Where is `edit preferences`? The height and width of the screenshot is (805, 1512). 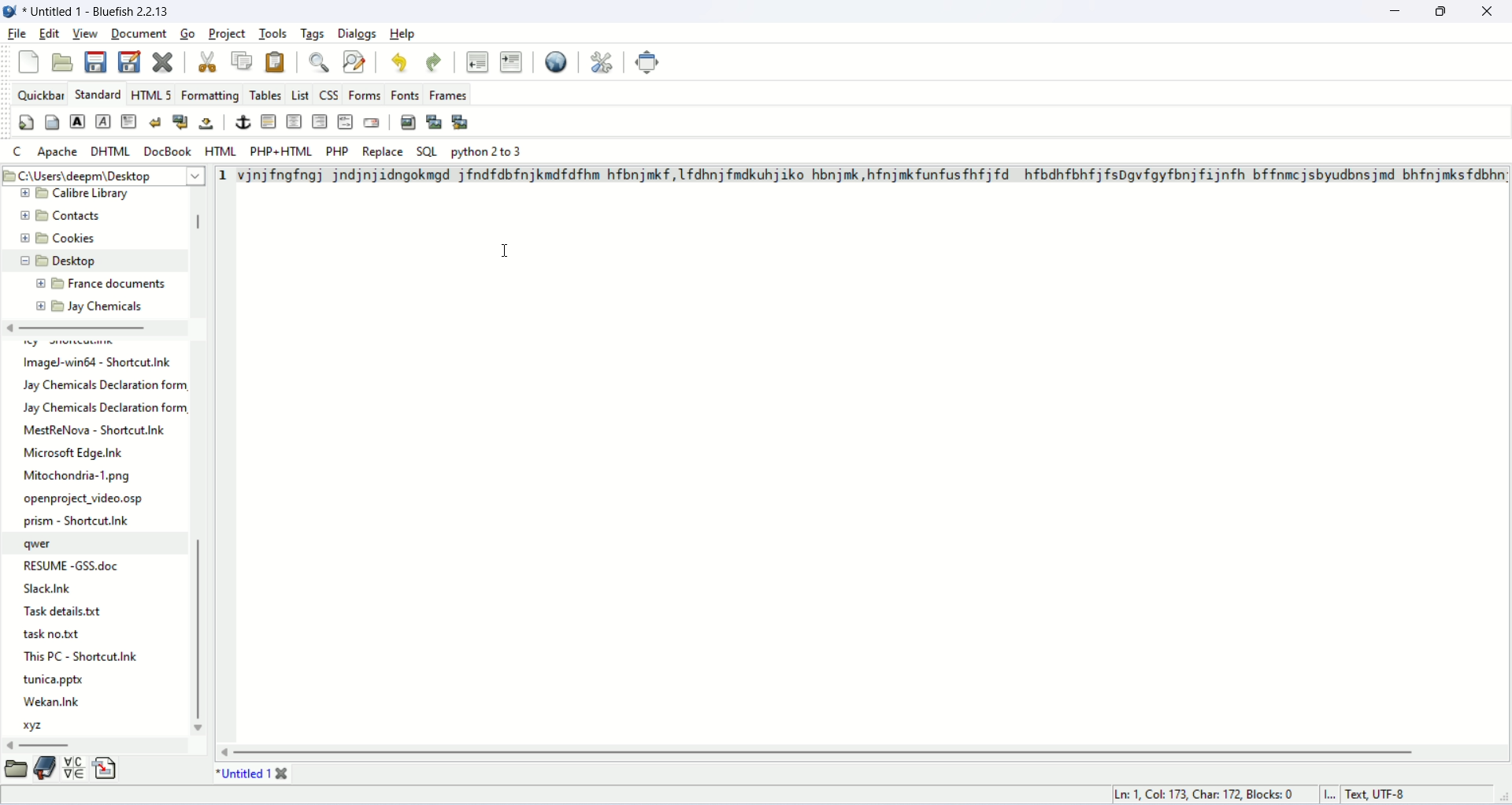
edit preferences is located at coordinates (606, 62).